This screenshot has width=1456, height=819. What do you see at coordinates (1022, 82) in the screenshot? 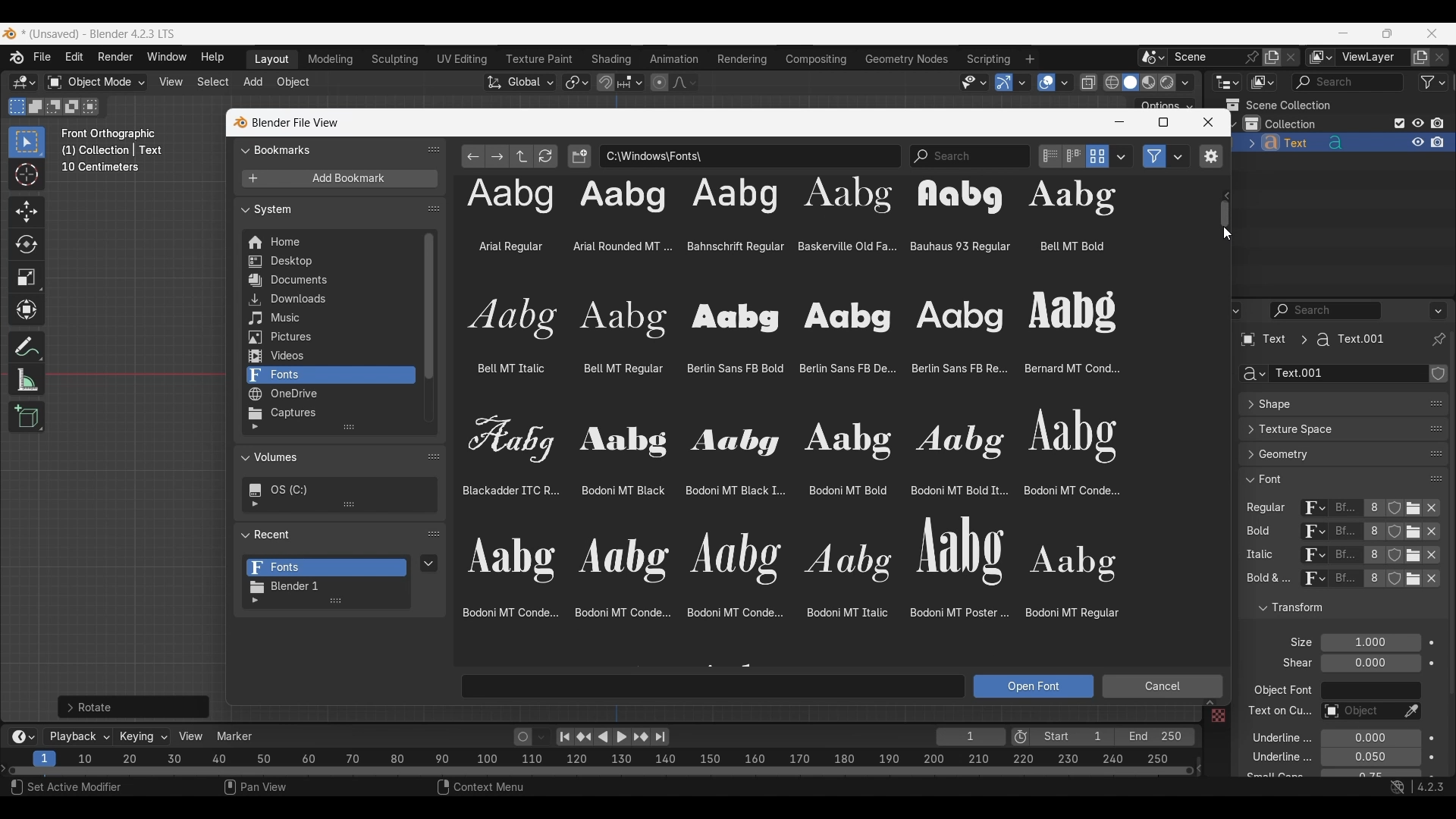
I see `Gizmos` at bounding box center [1022, 82].